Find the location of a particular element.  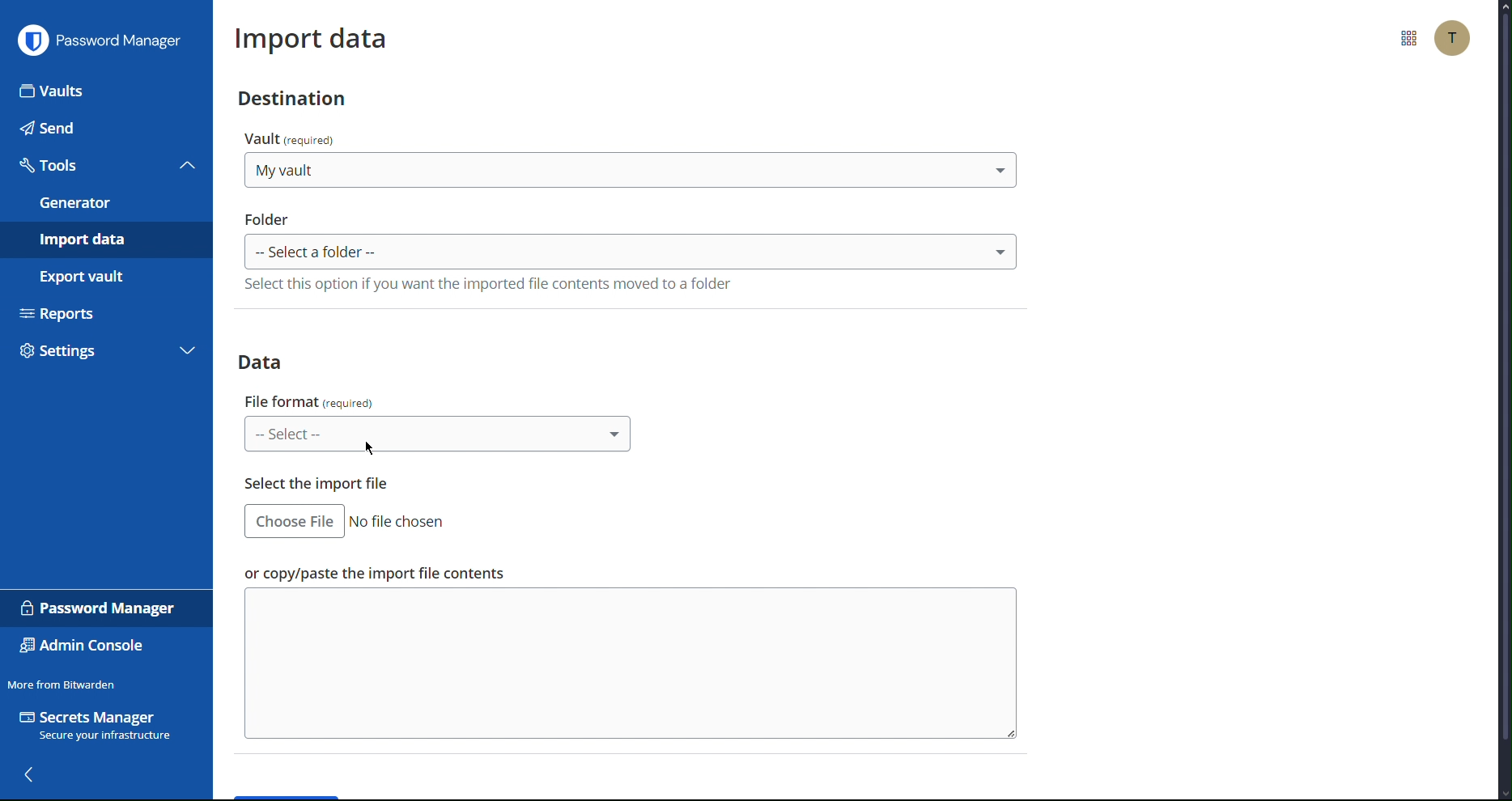

Reports is located at coordinates (104, 311).